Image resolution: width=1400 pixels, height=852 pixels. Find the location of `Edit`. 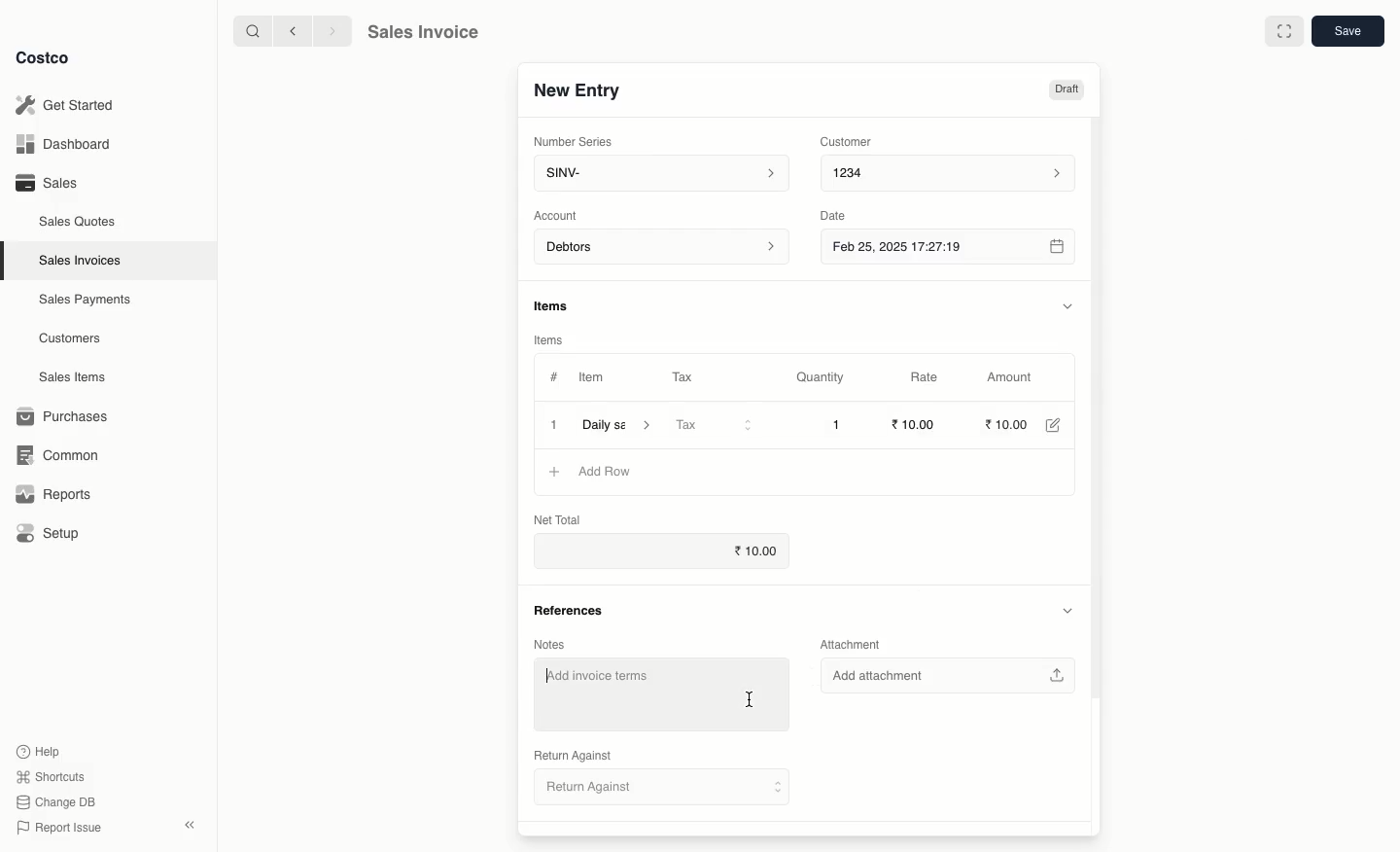

Edit is located at coordinates (1060, 425).